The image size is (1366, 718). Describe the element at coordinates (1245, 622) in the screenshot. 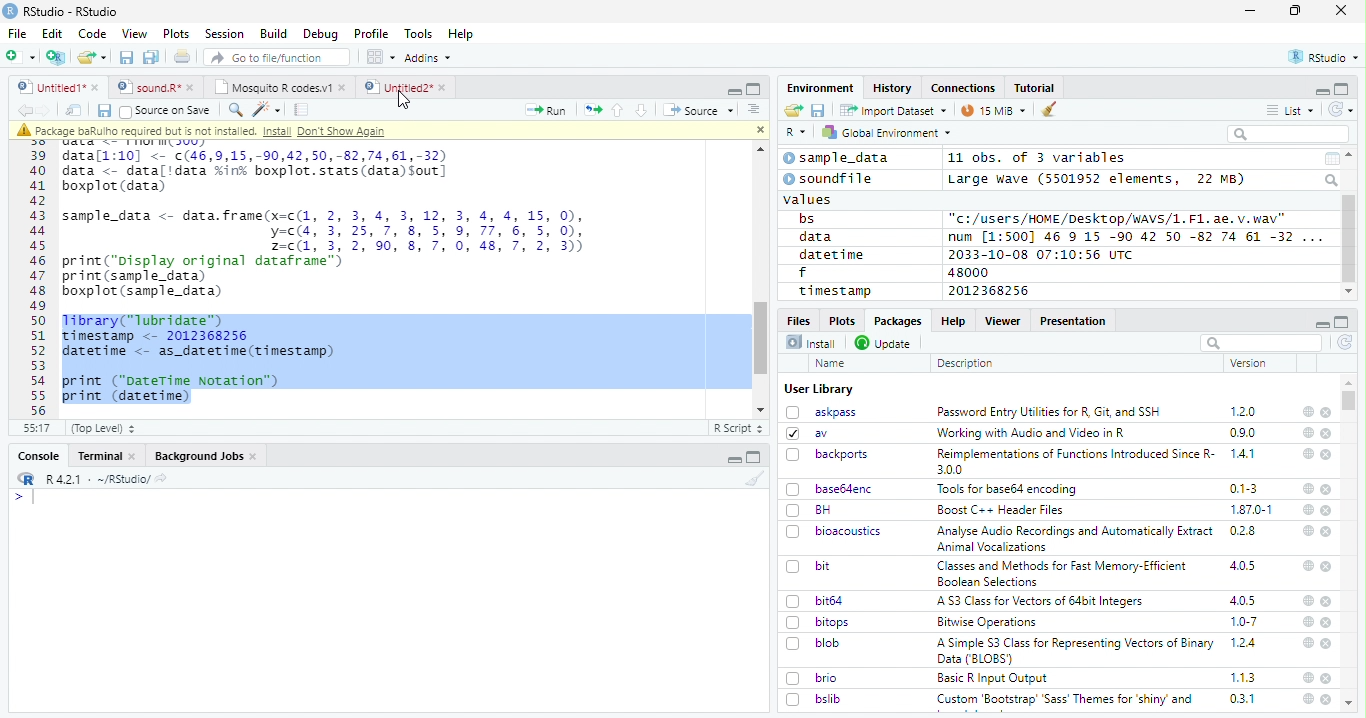

I see `1.0-7` at that location.